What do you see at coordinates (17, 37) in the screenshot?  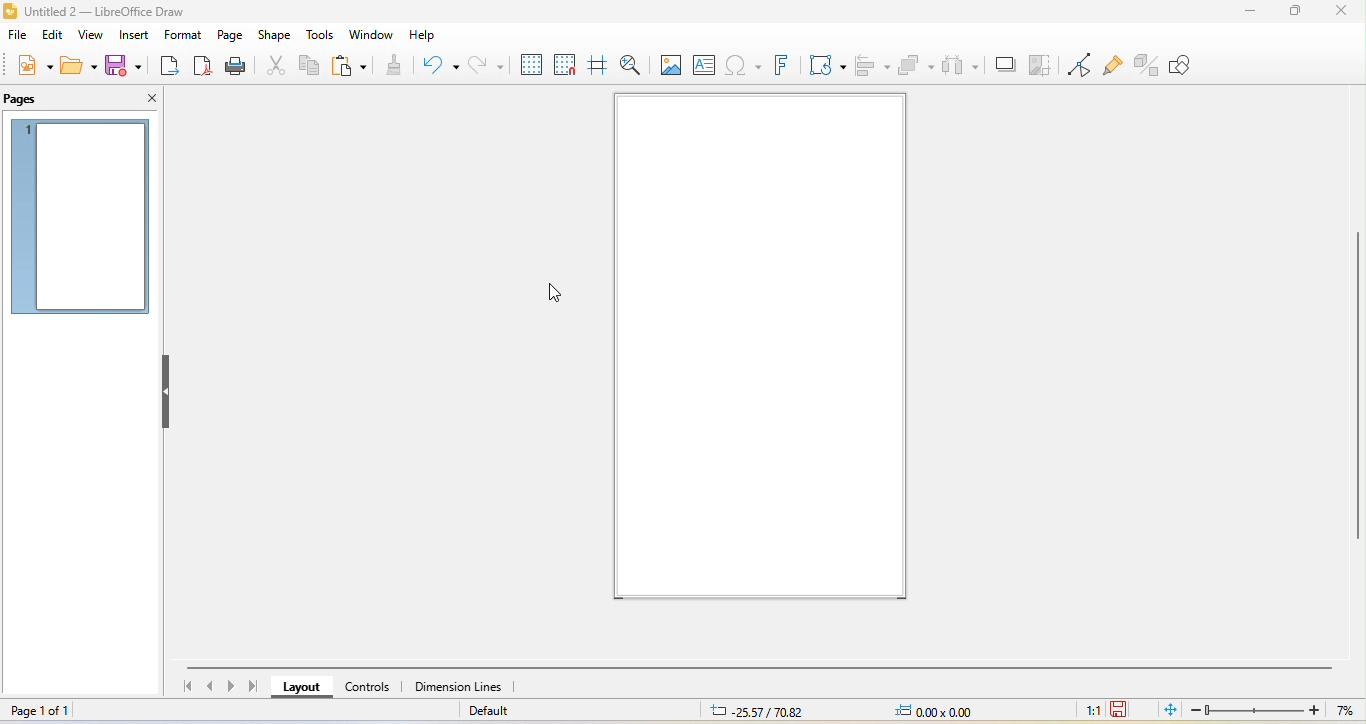 I see `file` at bounding box center [17, 37].